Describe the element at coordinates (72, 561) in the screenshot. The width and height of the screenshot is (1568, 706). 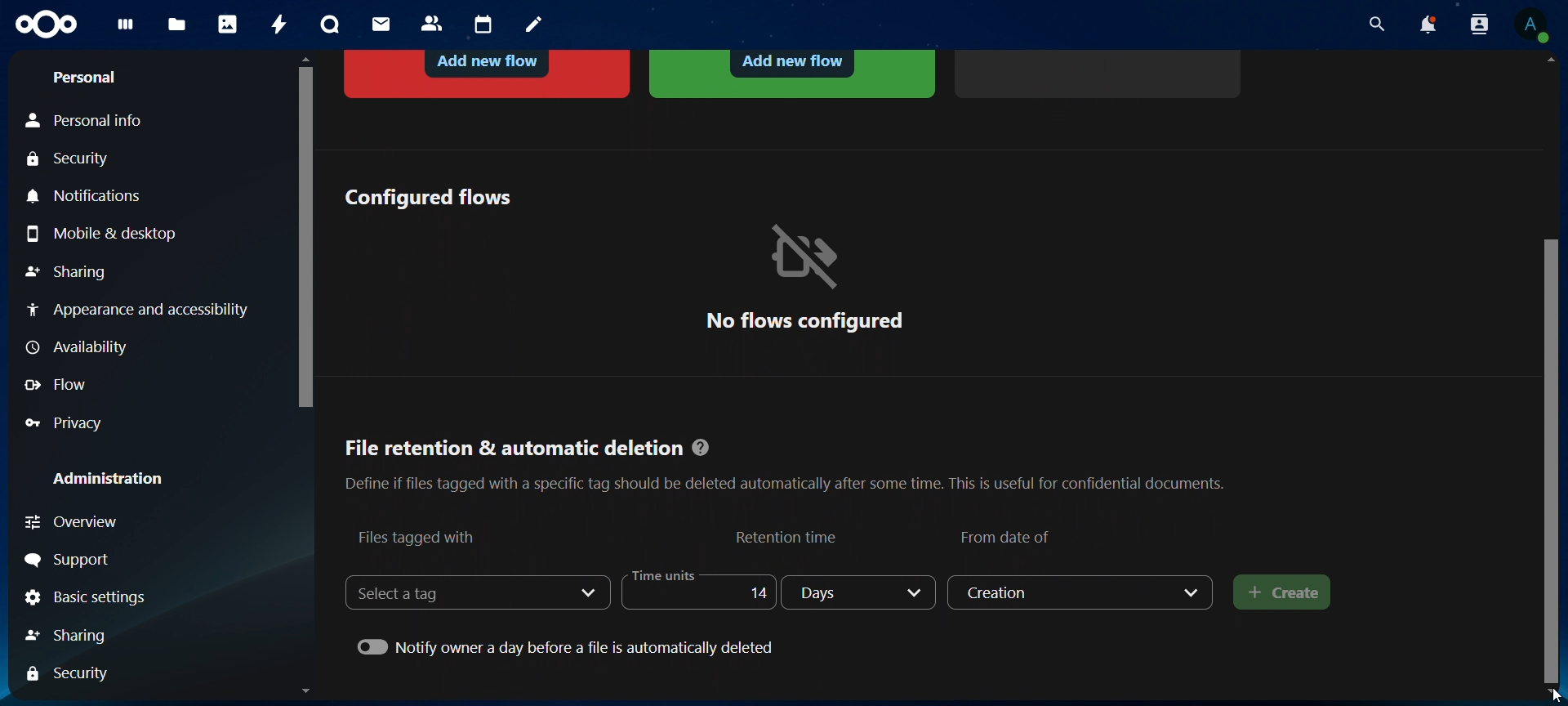
I see `support` at that location.